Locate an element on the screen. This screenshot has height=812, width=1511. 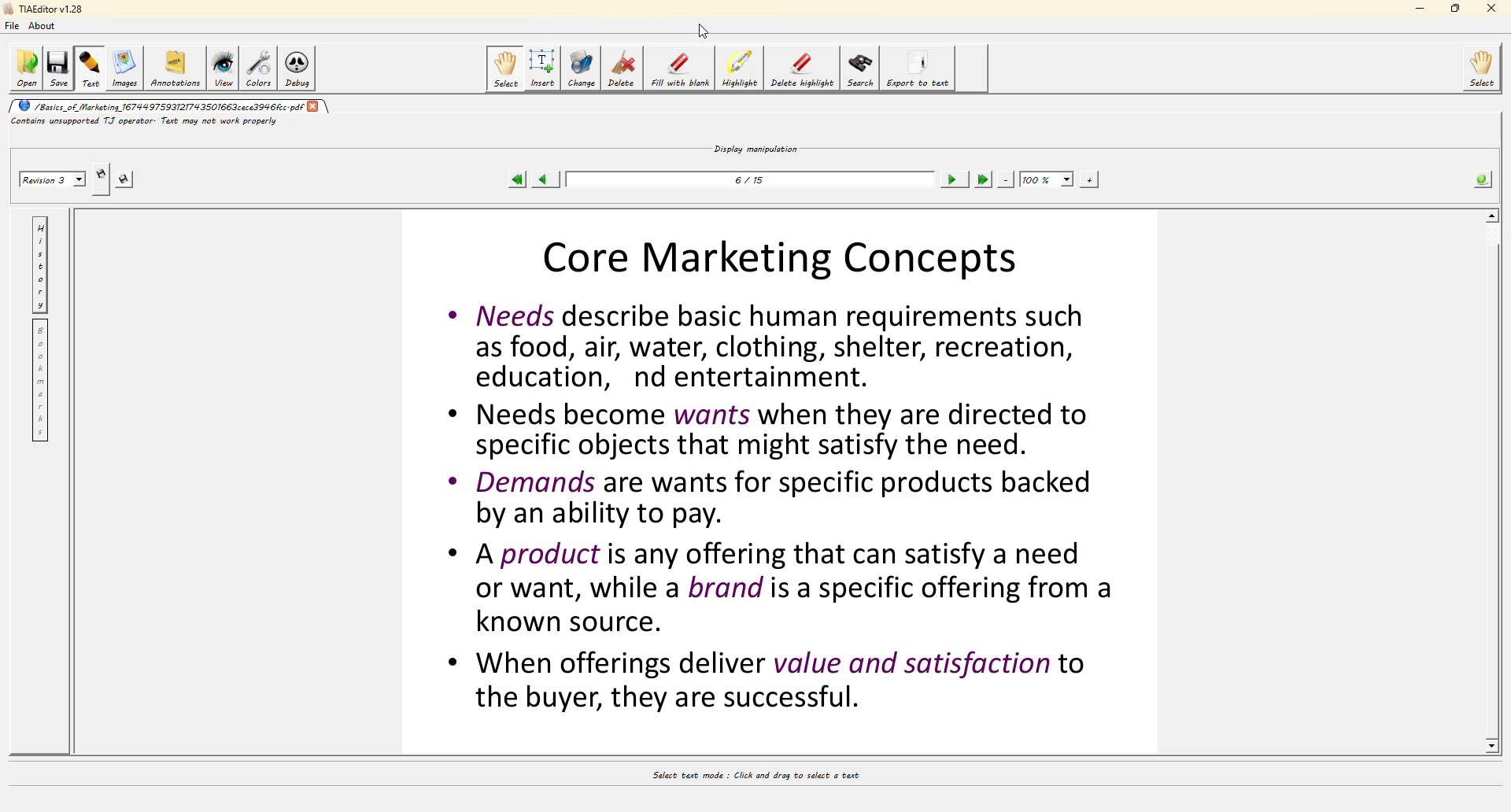
search is located at coordinates (858, 69).